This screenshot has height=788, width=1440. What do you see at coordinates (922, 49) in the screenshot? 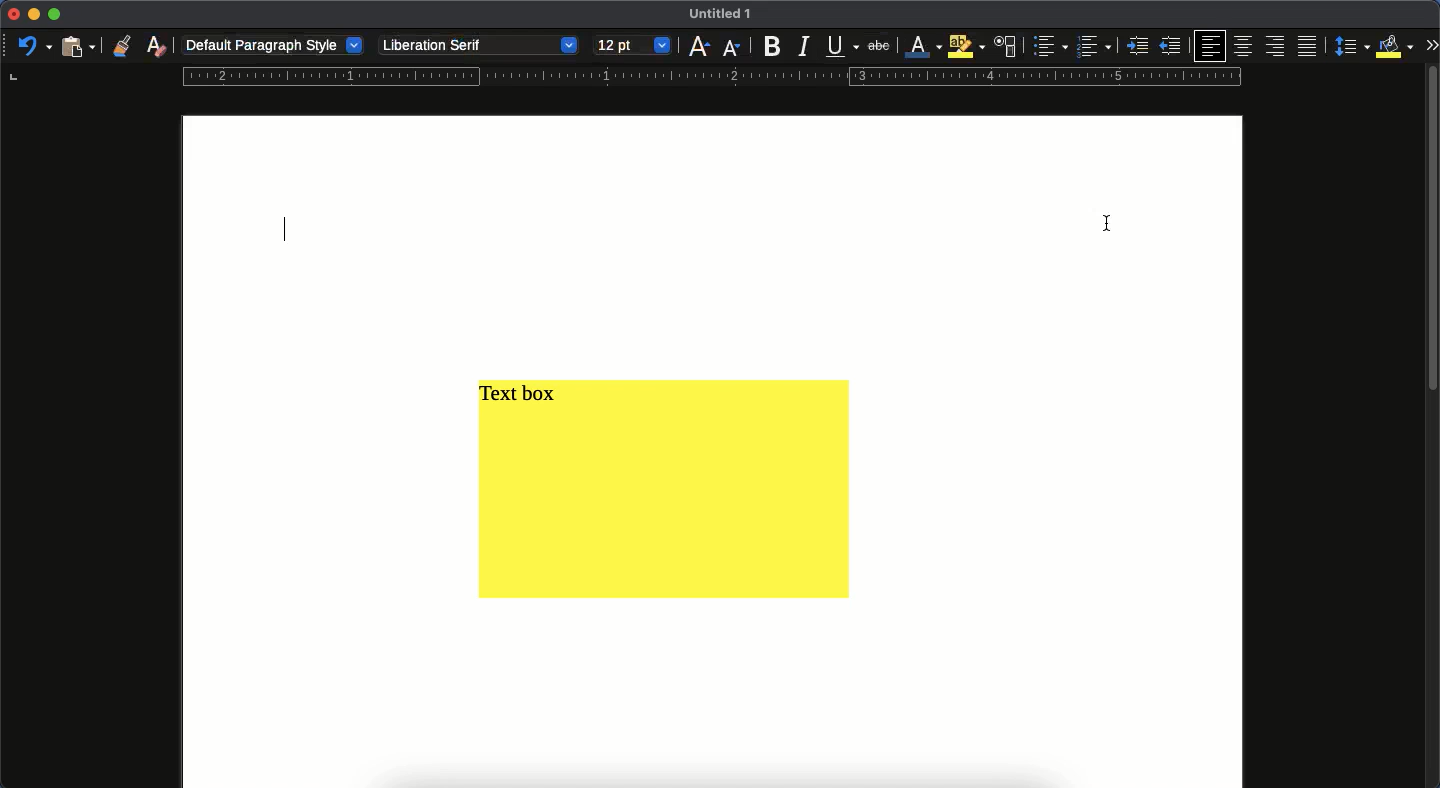
I see `font color` at bounding box center [922, 49].